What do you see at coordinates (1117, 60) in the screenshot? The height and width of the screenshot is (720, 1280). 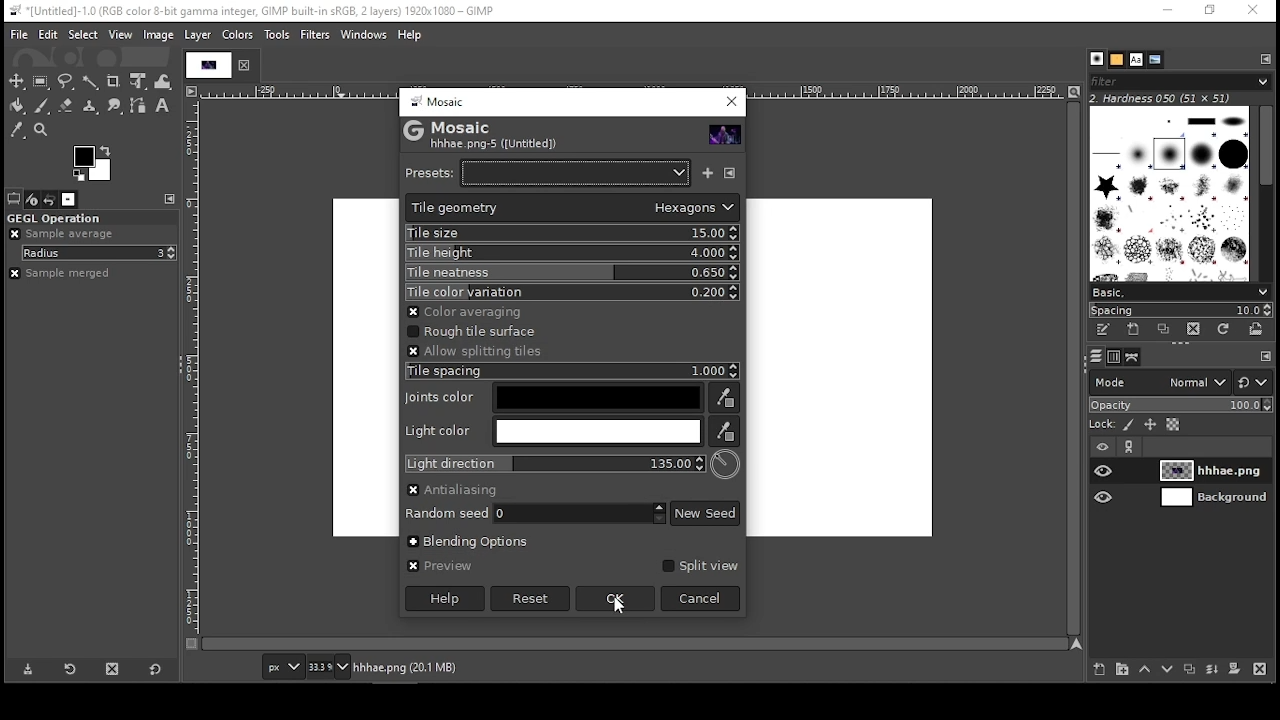 I see `patterns` at bounding box center [1117, 60].